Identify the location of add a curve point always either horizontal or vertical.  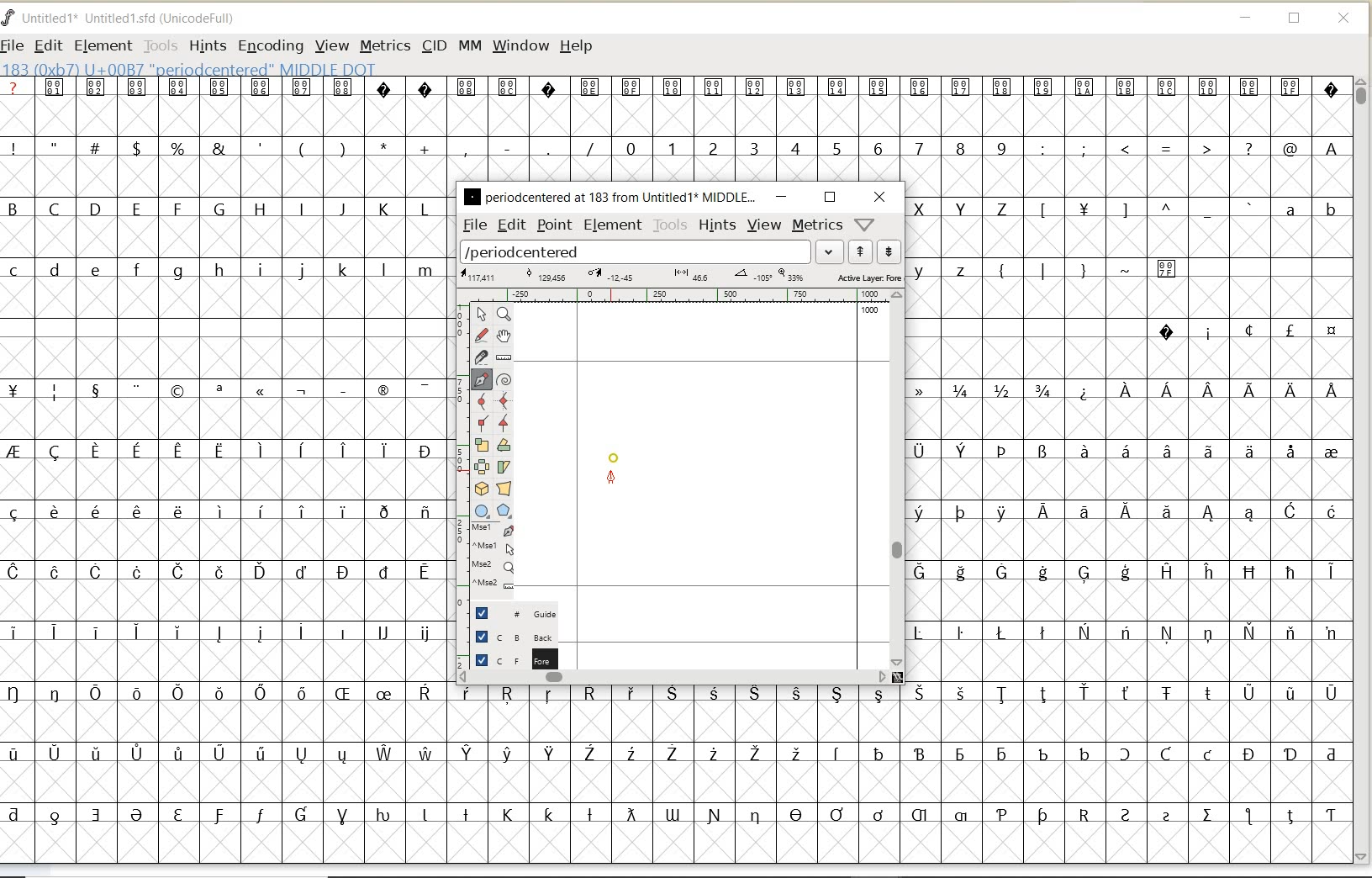
(504, 399).